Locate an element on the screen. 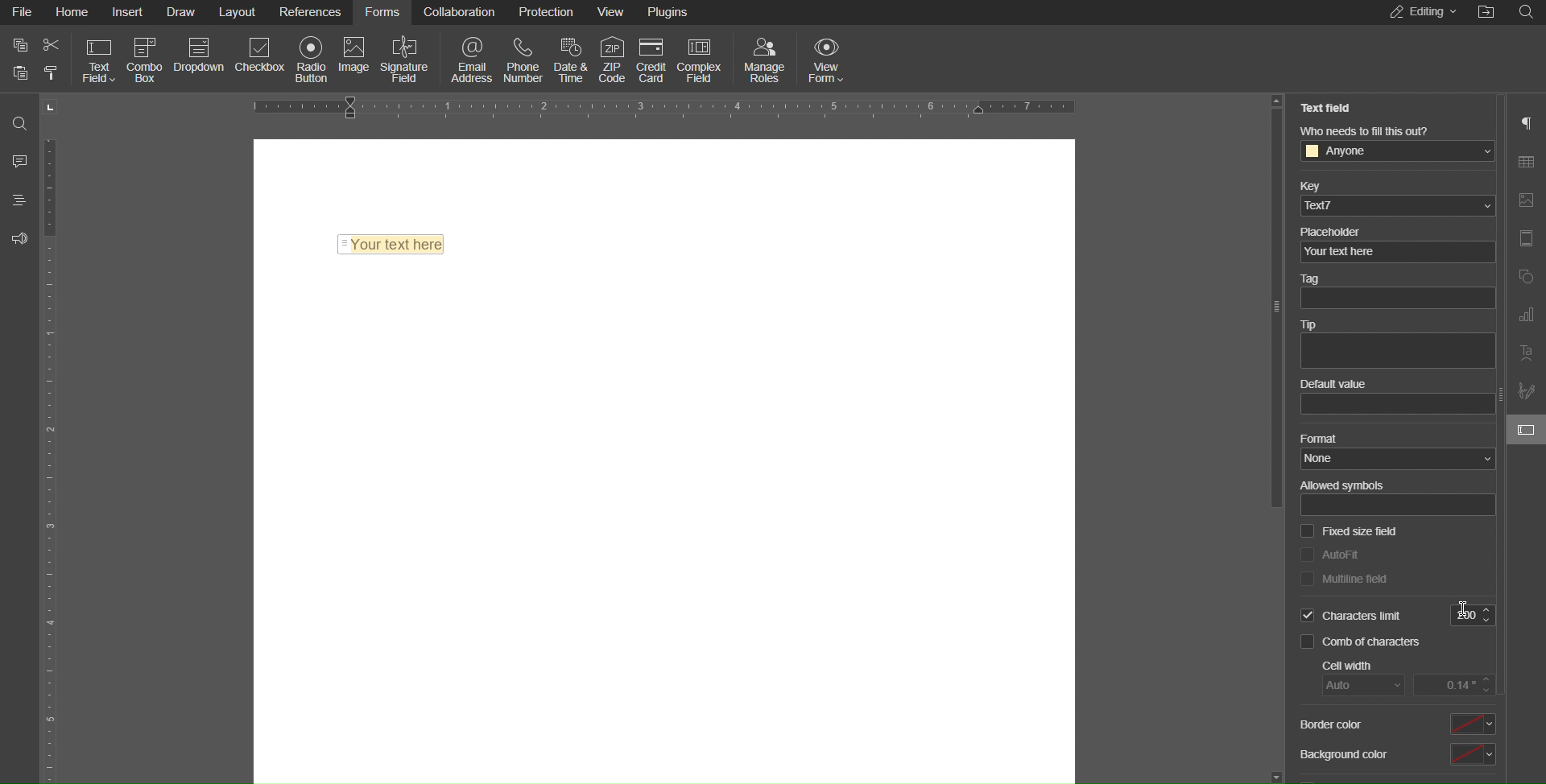 Image resolution: width=1546 pixels, height=784 pixels. Home is located at coordinates (72, 12).